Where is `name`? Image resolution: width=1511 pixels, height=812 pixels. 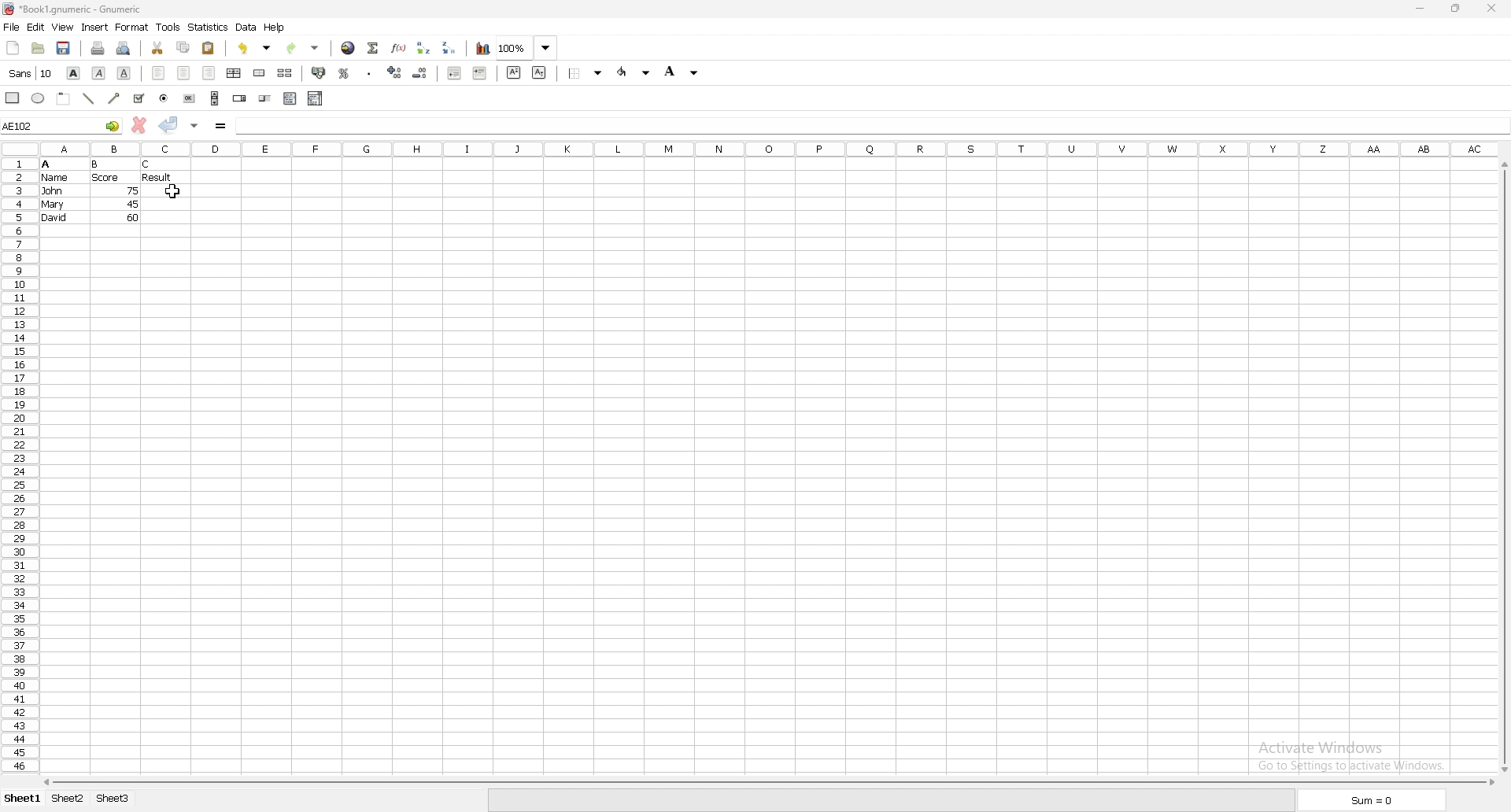
name is located at coordinates (55, 178).